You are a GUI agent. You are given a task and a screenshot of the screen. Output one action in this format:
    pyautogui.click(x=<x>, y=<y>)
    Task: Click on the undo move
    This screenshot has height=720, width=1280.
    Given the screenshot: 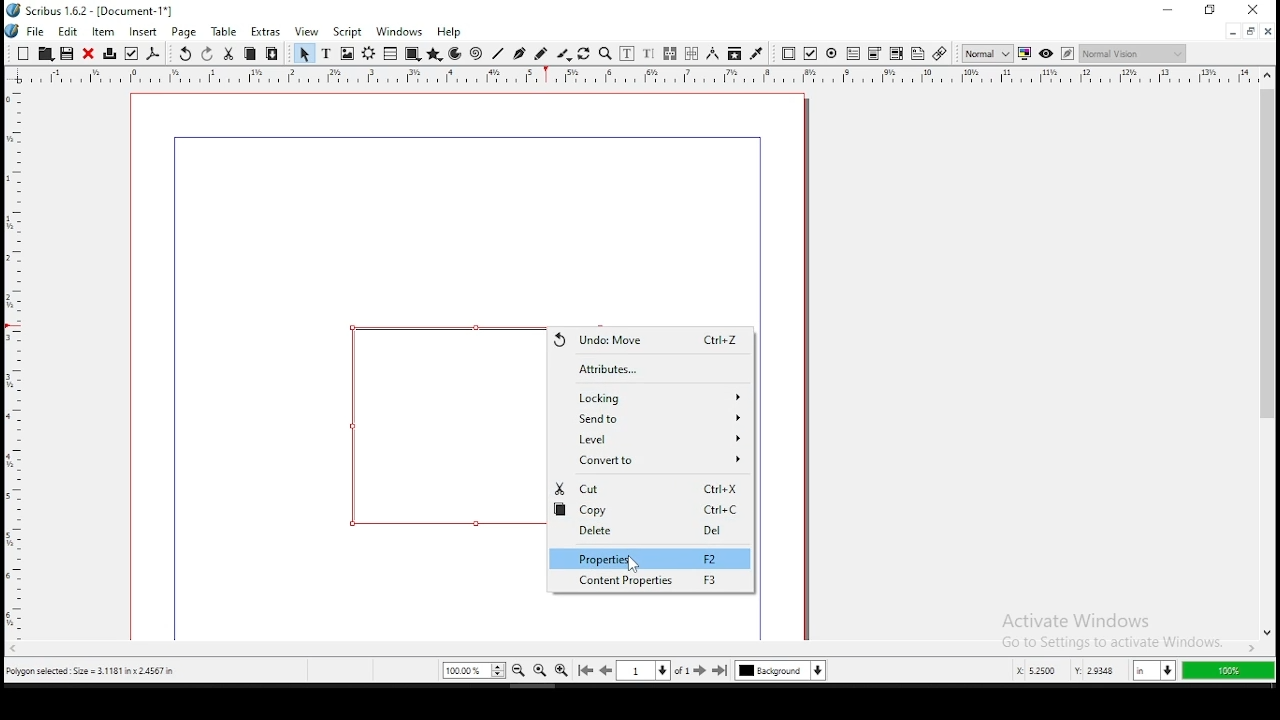 What is the action you would take?
    pyautogui.click(x=650, y=339)
    